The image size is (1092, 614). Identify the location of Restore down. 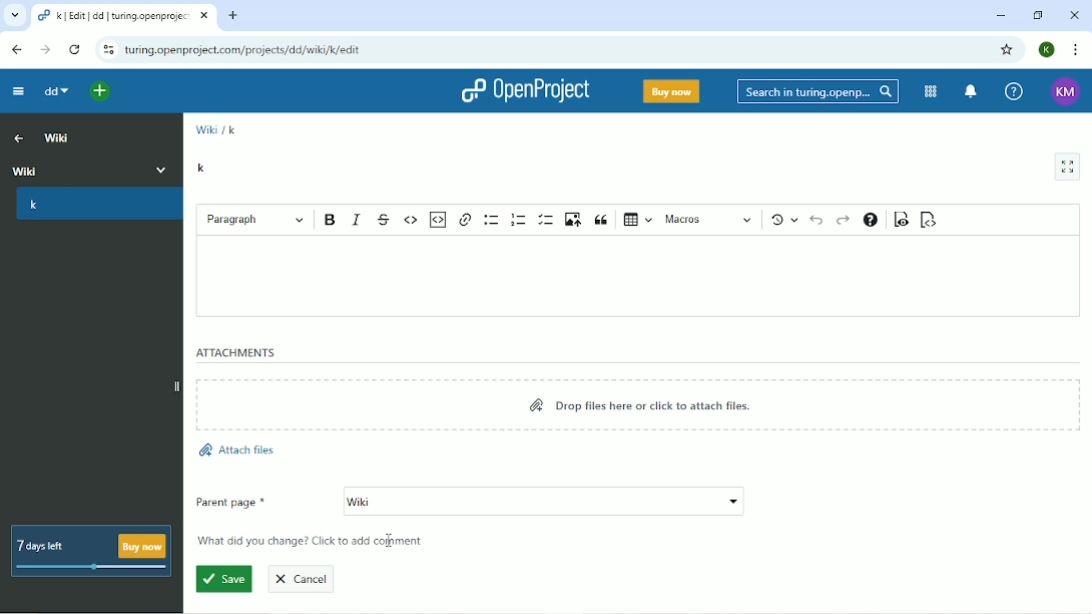
(1037, 15).